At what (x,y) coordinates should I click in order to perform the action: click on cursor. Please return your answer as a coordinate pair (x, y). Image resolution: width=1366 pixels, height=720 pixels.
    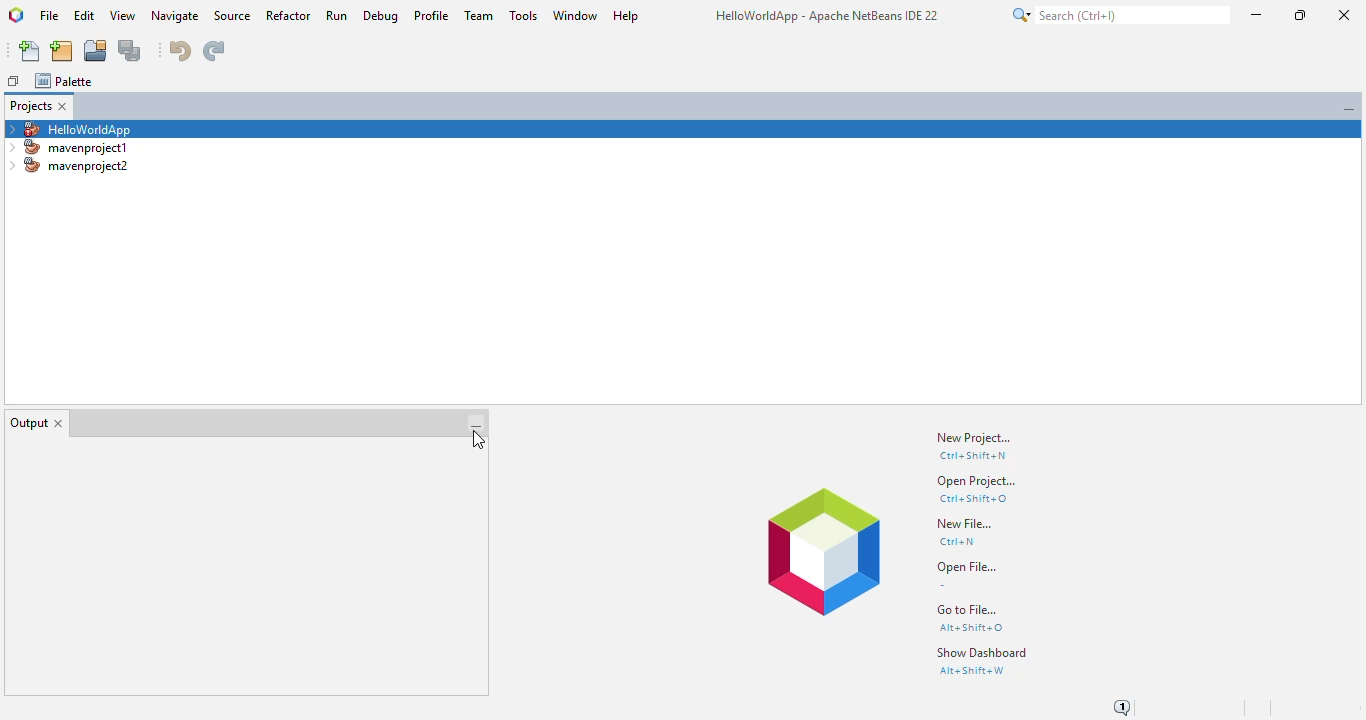
    Looking at the image, I should click on (476, 441).